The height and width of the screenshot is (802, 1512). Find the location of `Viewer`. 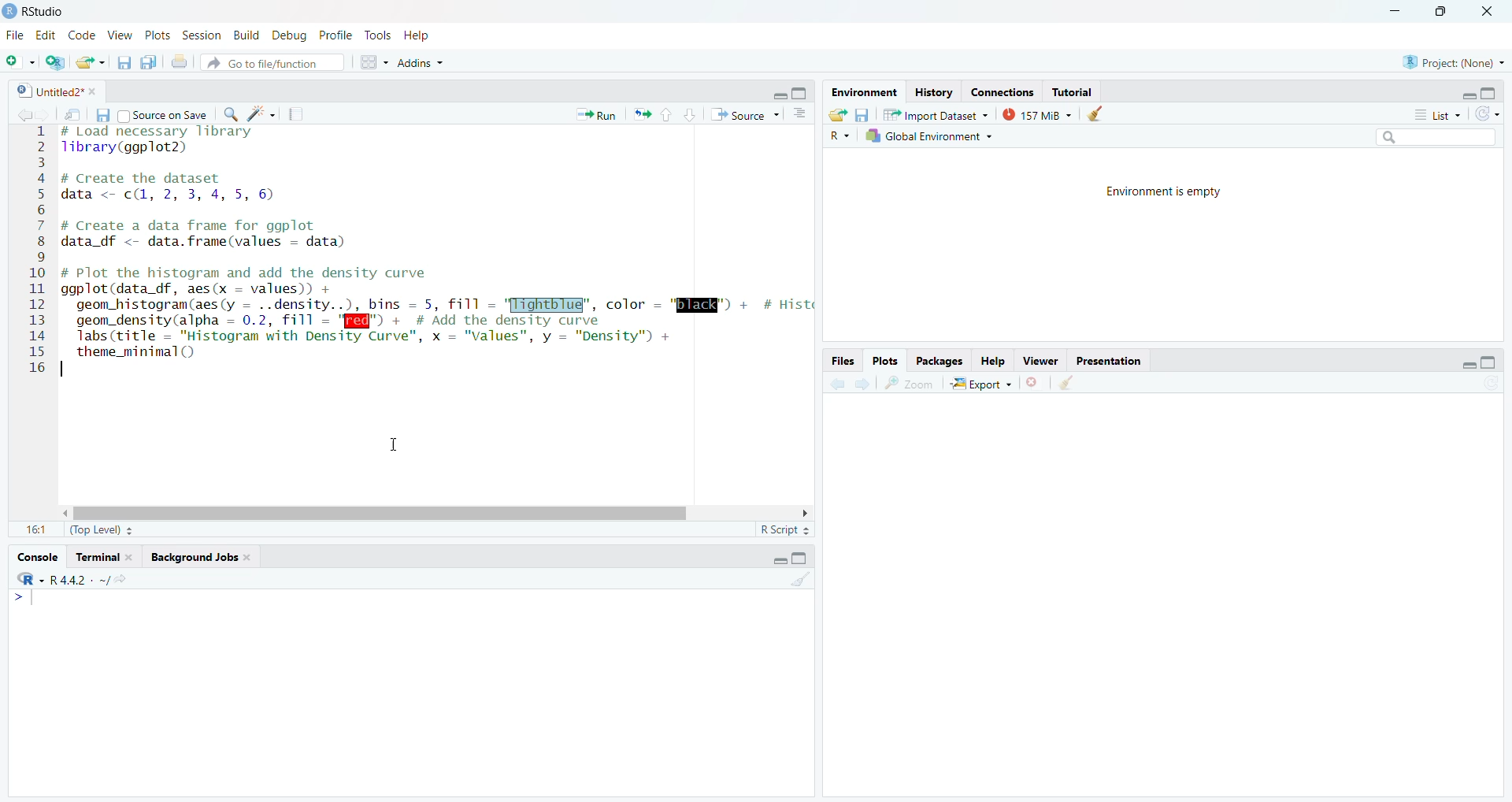

Viewer is located at coordinates (1043, 360).